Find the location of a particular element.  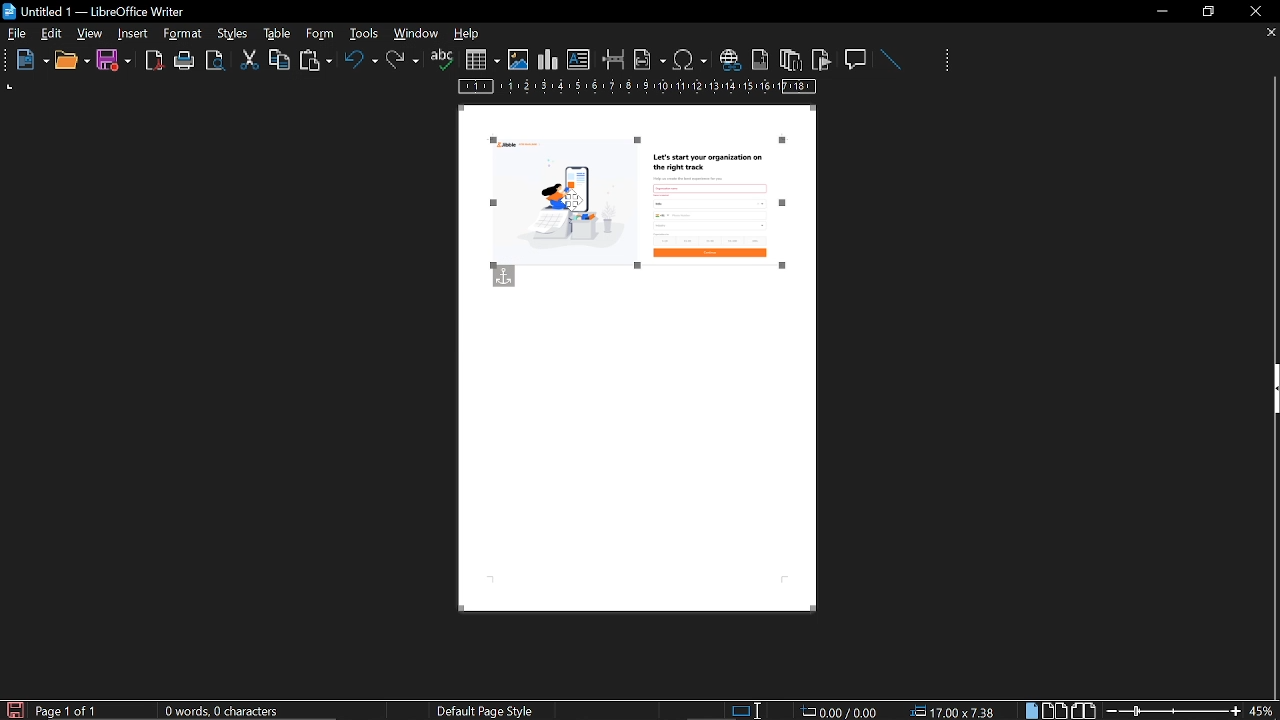

insert chart is located at coordinates (548, 60).